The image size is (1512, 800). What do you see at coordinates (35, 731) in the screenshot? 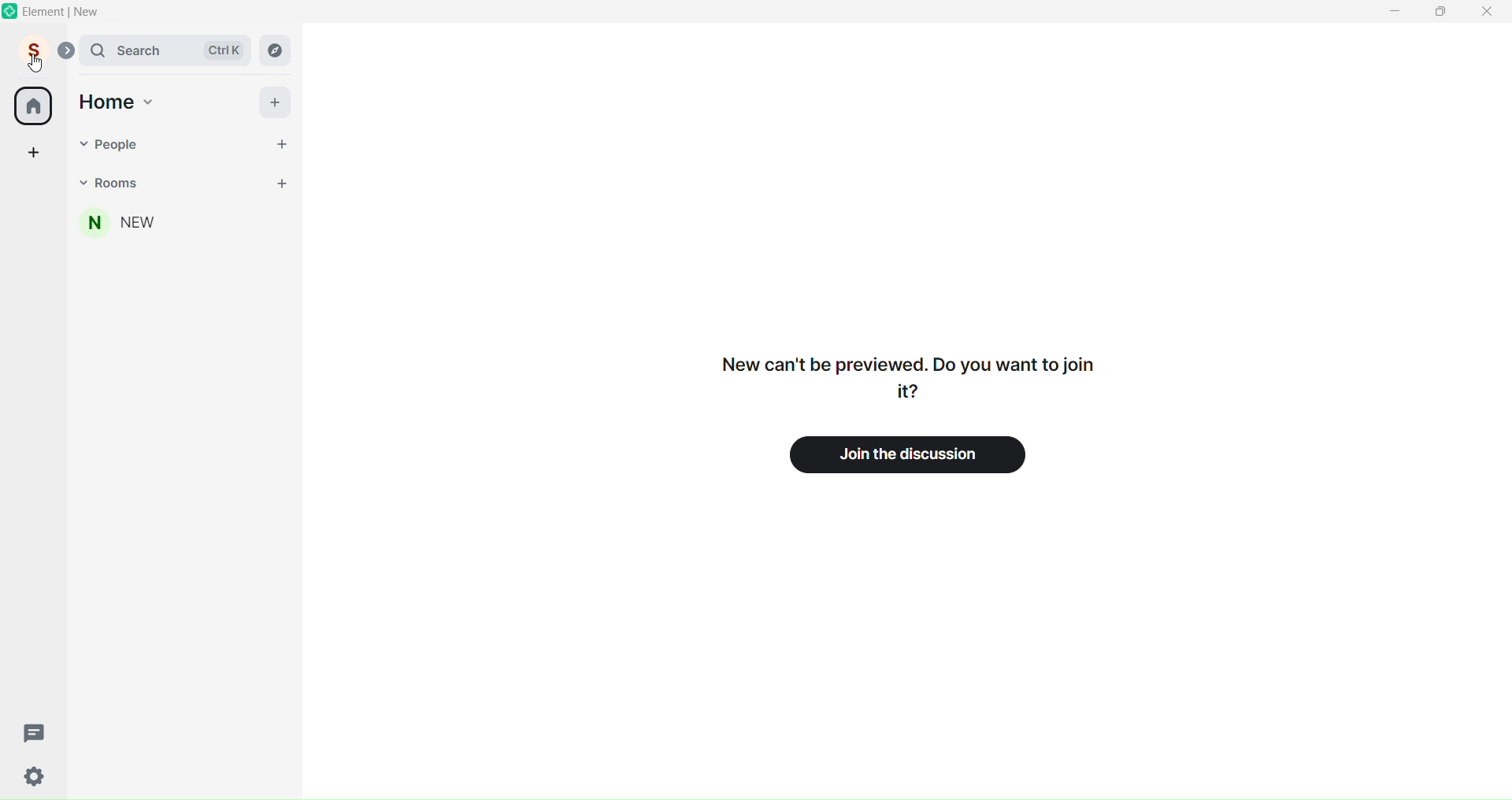
I see `Threads` at bounding box center [35, 731].